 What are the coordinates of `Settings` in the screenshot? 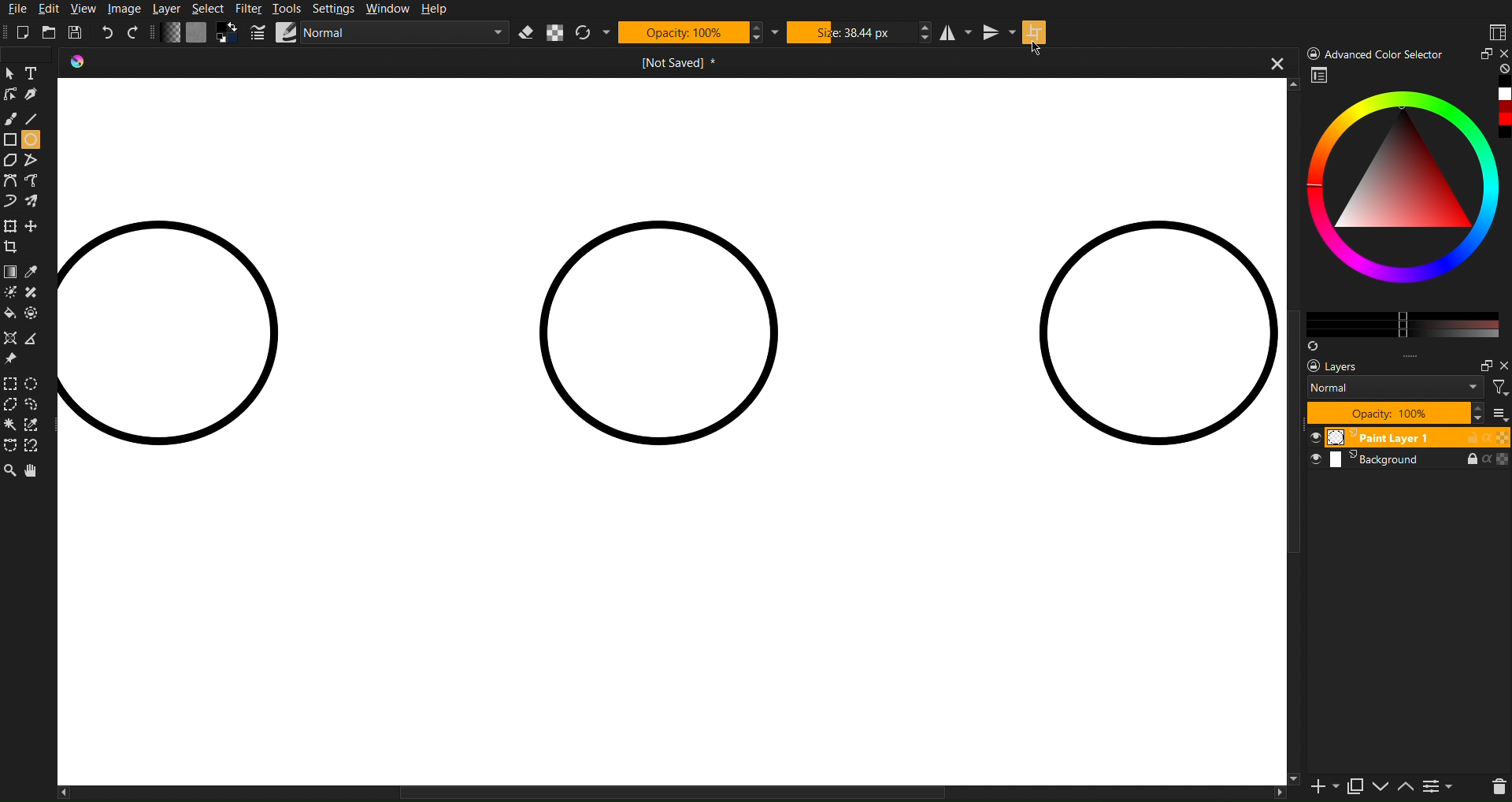 It's located at (335, 8).